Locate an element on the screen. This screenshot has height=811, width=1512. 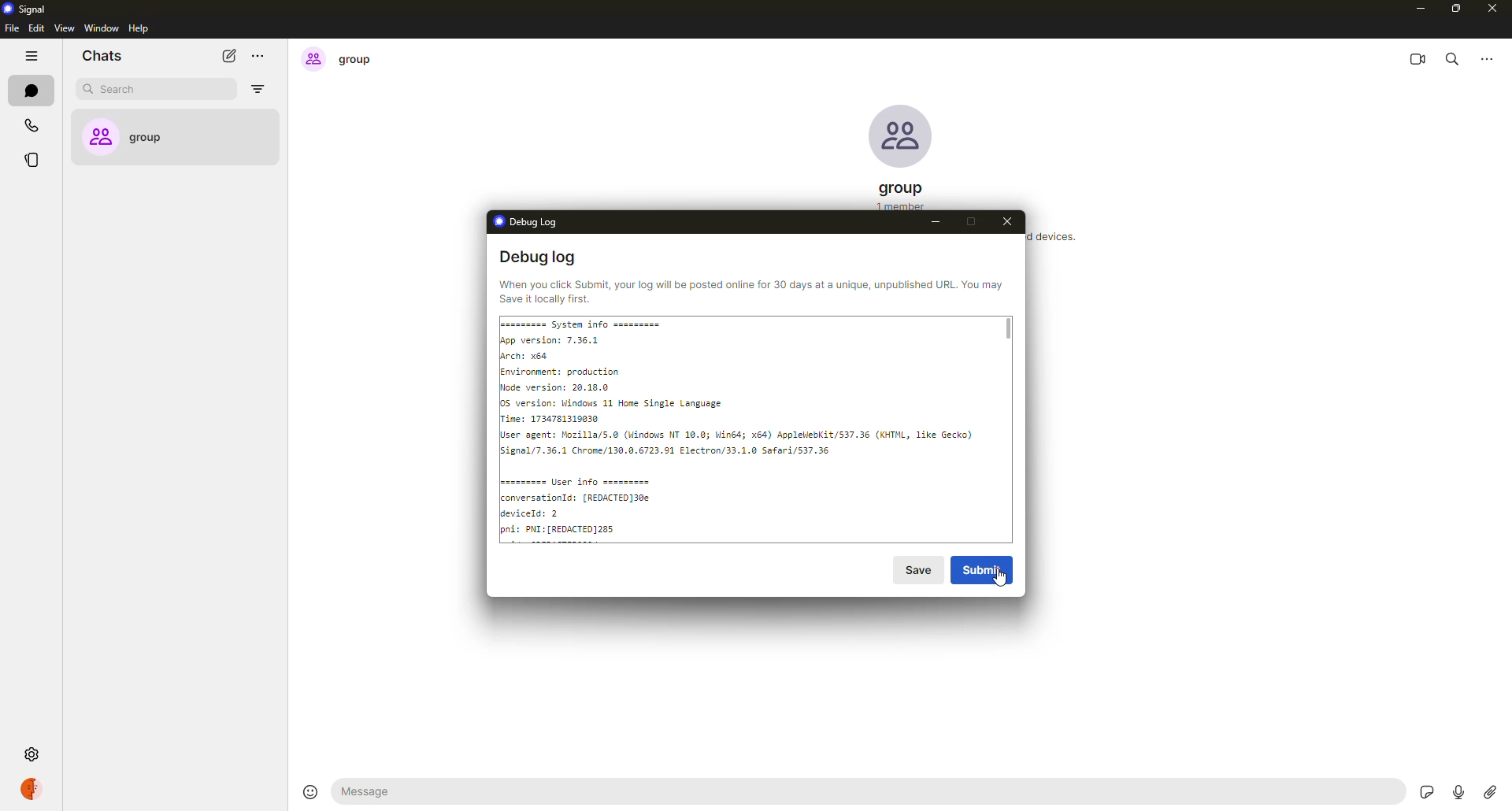
scroll bar is located at coordinates (1010, 328).